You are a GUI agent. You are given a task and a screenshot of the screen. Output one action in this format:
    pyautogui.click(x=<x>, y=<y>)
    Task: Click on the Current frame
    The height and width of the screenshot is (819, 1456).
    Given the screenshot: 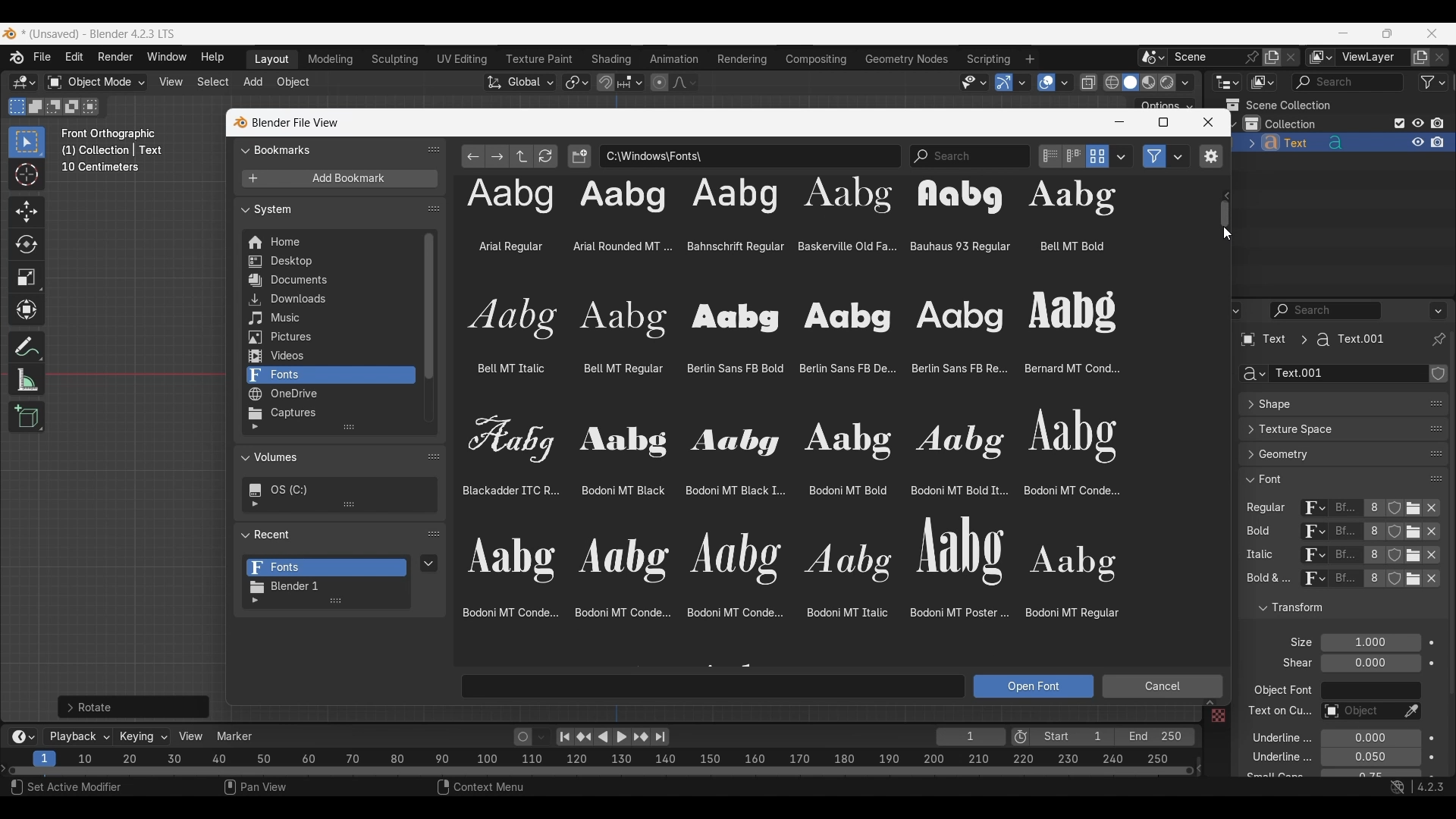 What is the action you would take?
    pyautogui.click(x=971, y=738)
    